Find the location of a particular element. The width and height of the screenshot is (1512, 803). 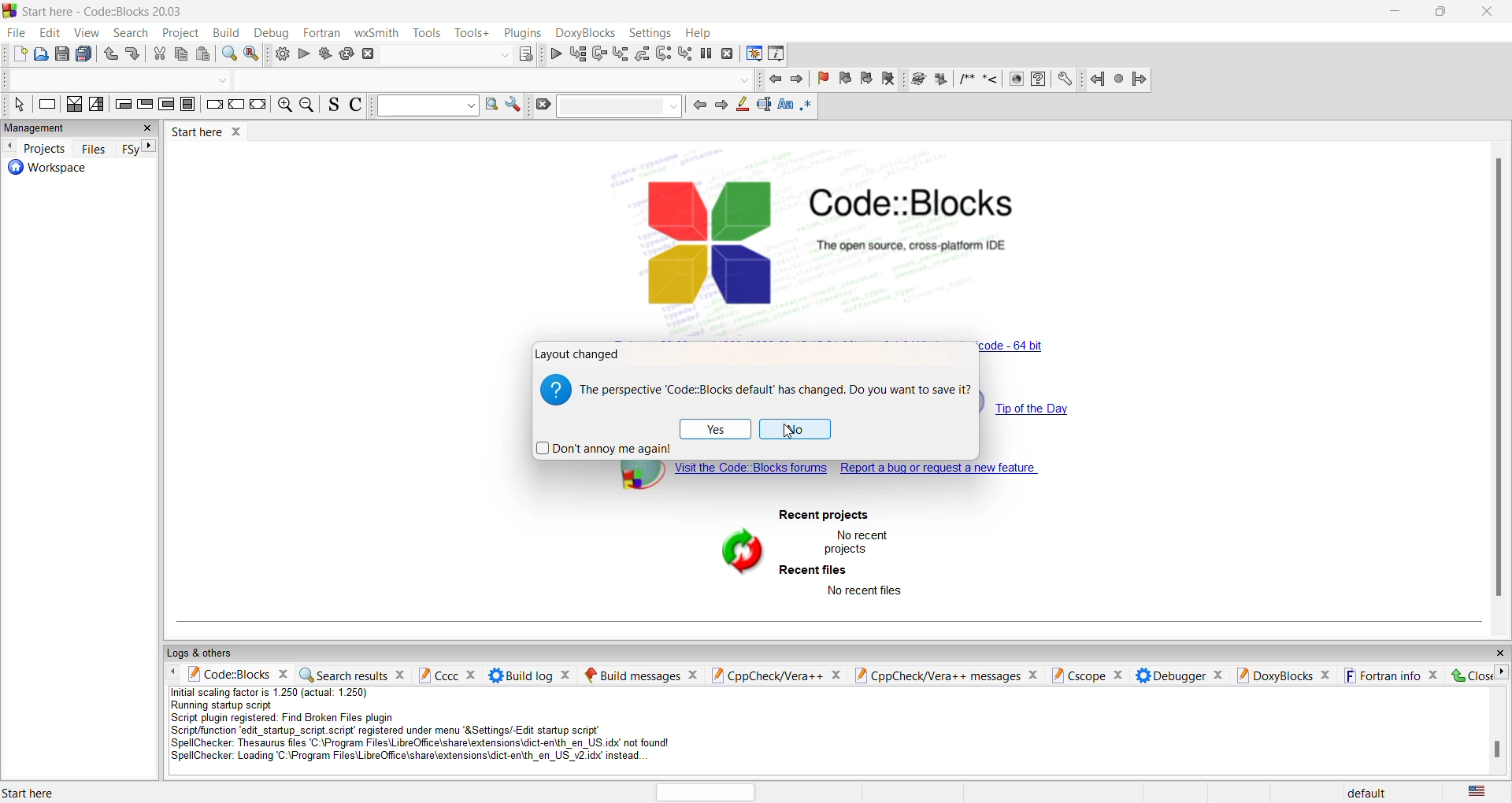

debug continue is located at coordinates (555, 54).